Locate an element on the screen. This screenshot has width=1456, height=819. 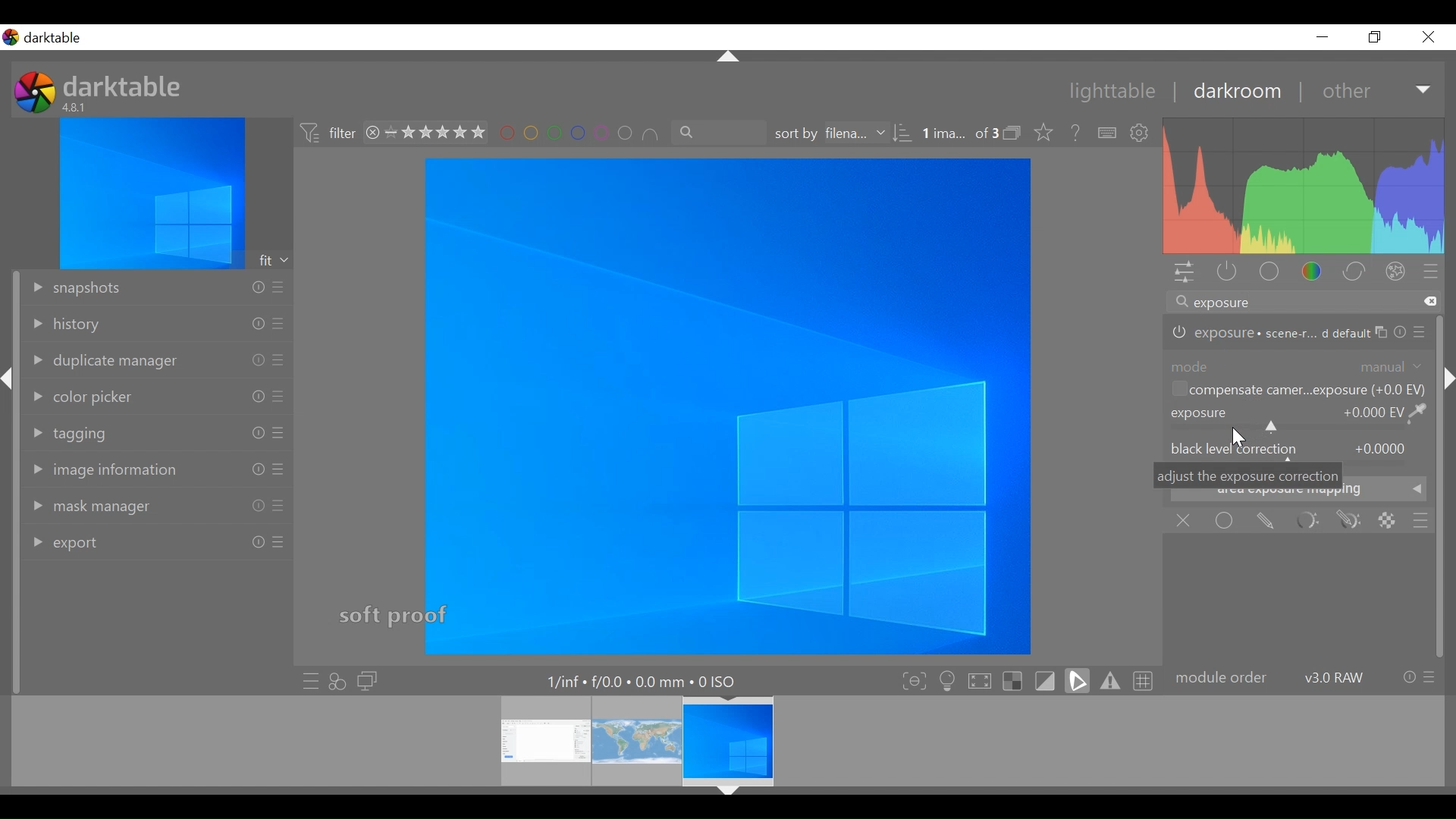
close is located at coordinates (1427, 37).